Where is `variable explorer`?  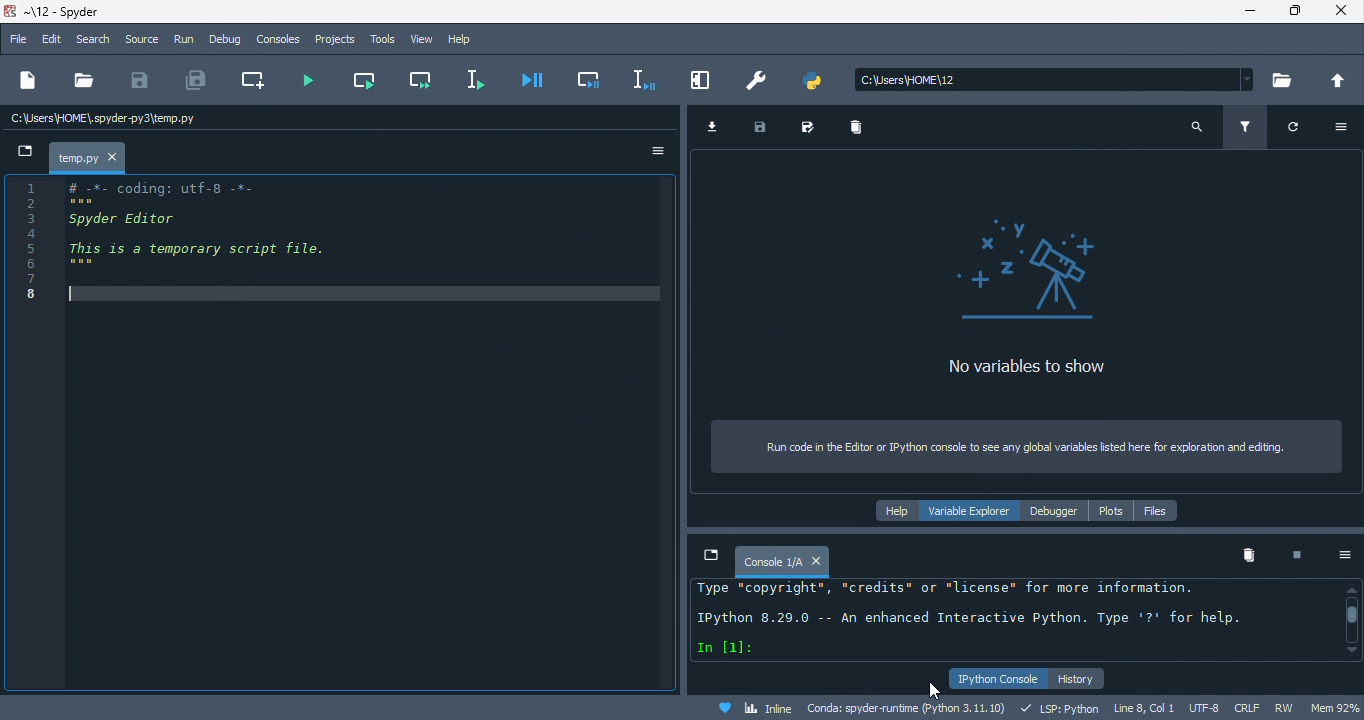 variable explorer is located at coordinates (977, 511).